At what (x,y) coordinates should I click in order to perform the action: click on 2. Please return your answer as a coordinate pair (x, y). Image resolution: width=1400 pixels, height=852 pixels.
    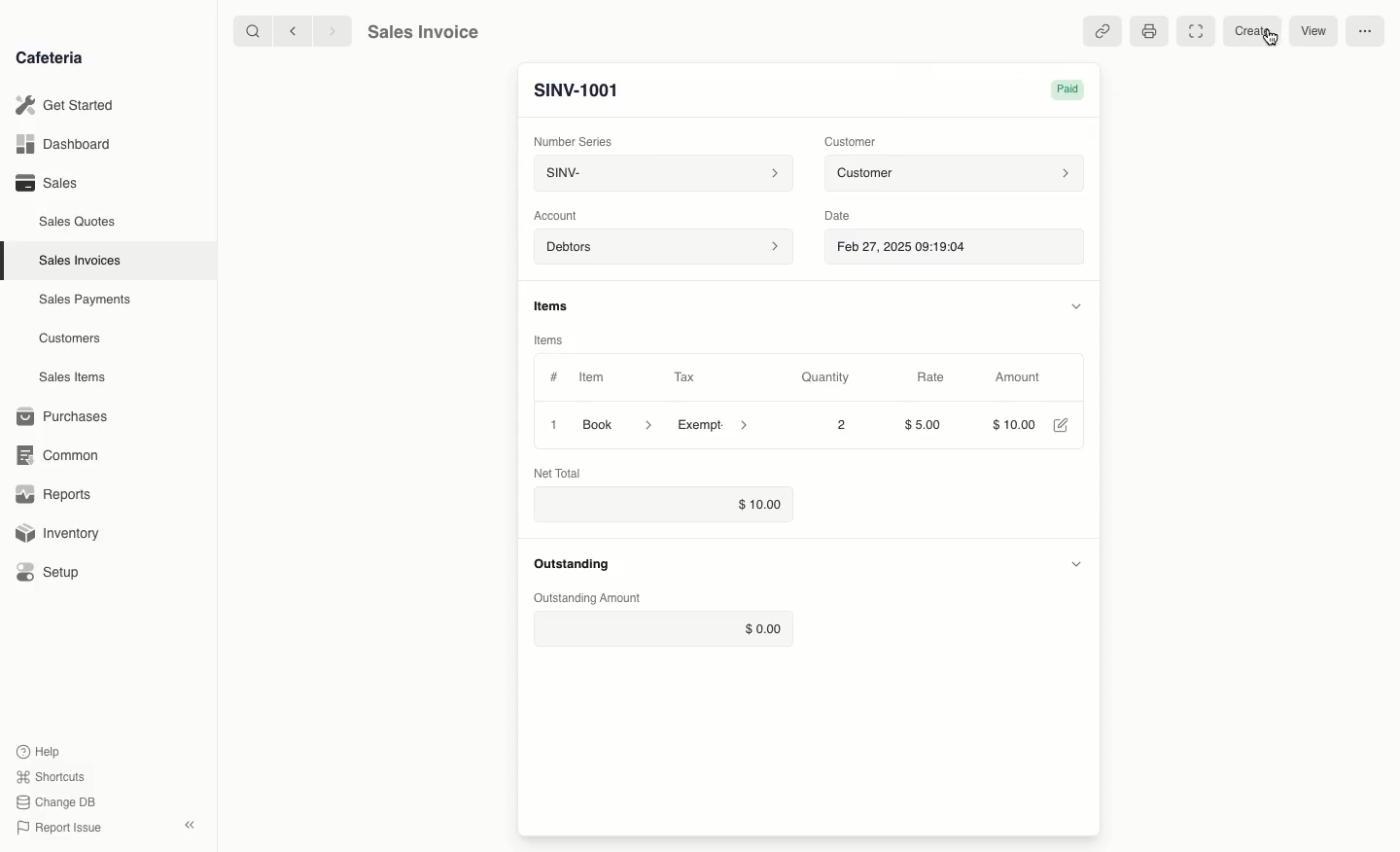
    Looking at the image, I should click on (843, 426).